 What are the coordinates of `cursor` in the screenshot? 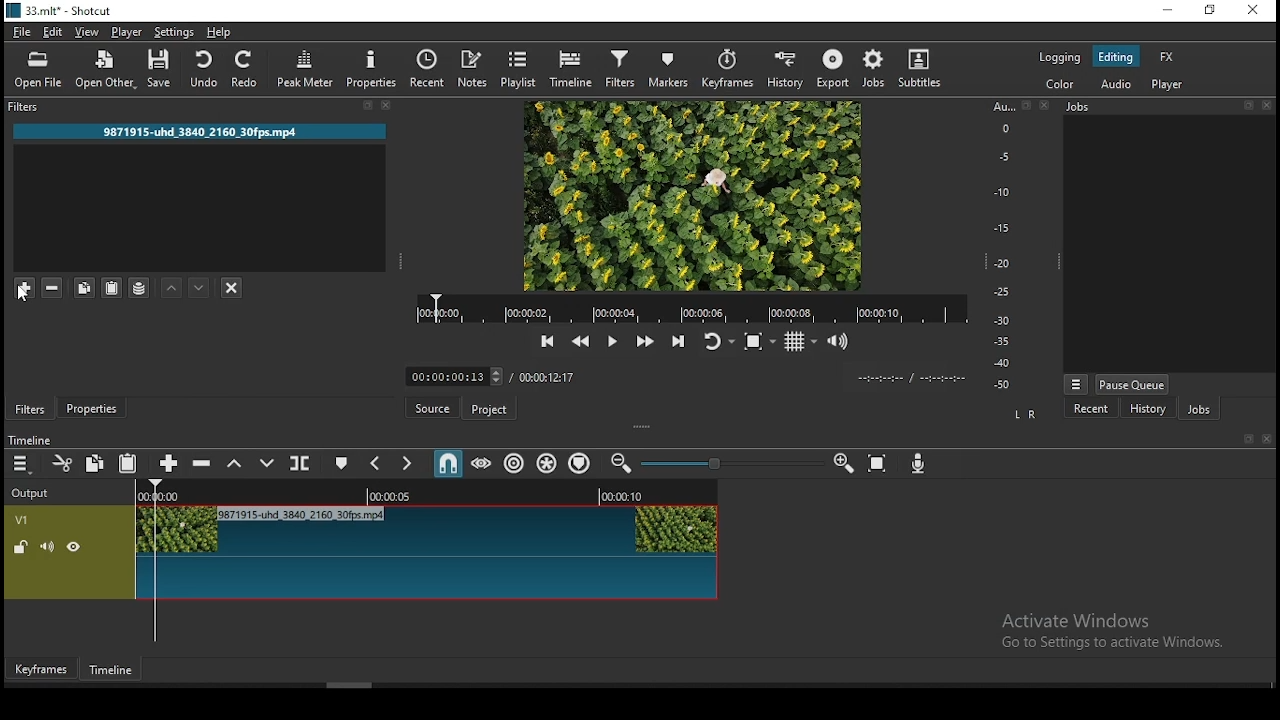 It's located at (25, 296).